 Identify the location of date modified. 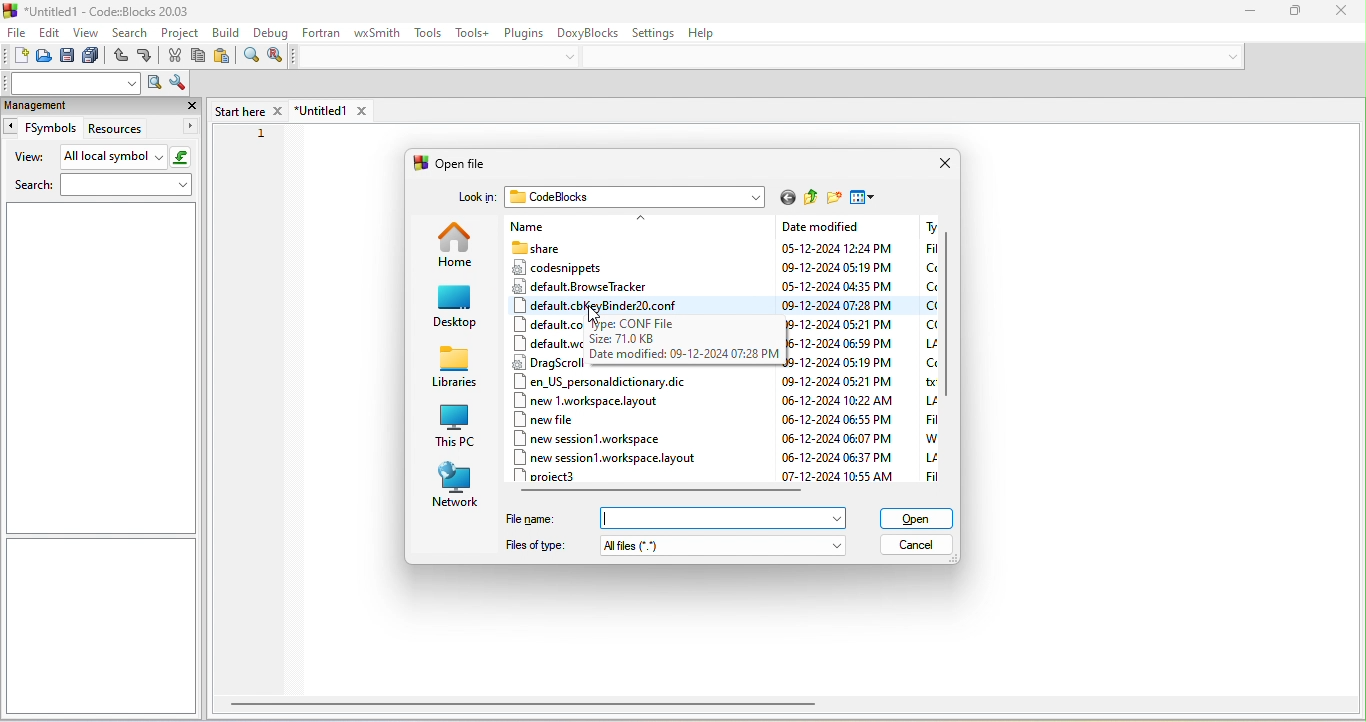
(844, 225).